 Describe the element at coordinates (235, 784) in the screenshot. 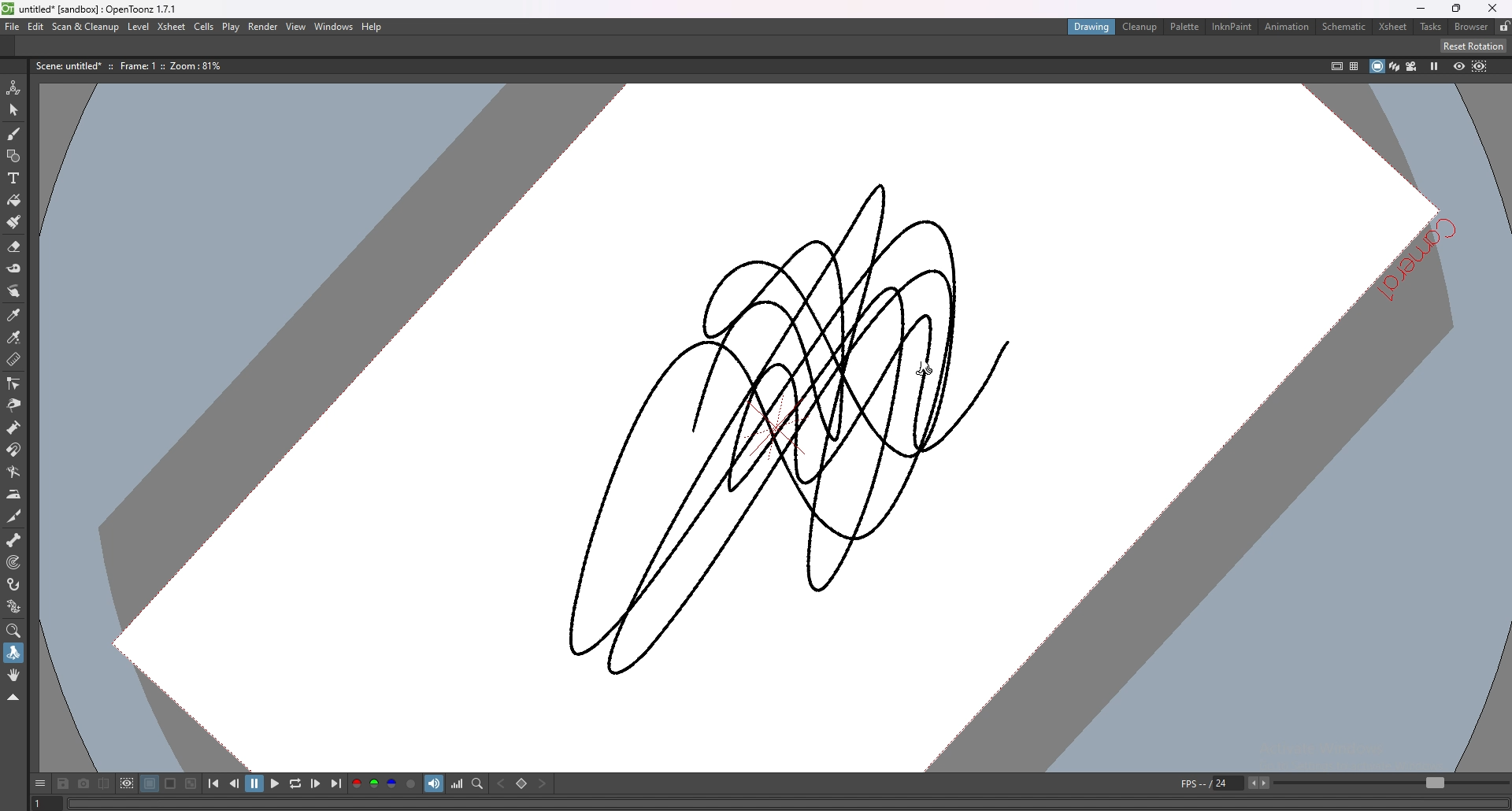

I see `previous frame` at that location.